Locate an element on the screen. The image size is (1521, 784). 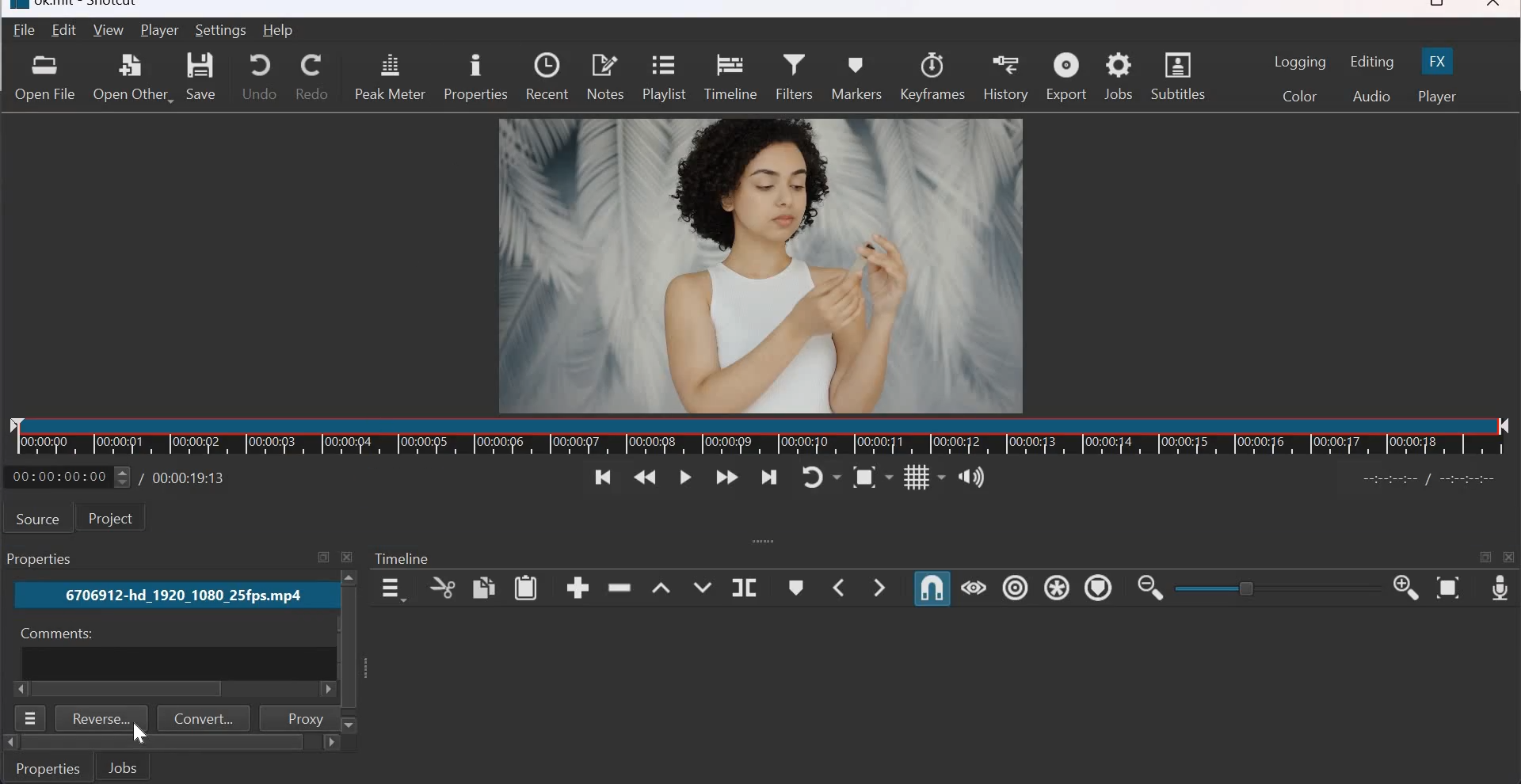
Export is located at coordinates (1066, 75).